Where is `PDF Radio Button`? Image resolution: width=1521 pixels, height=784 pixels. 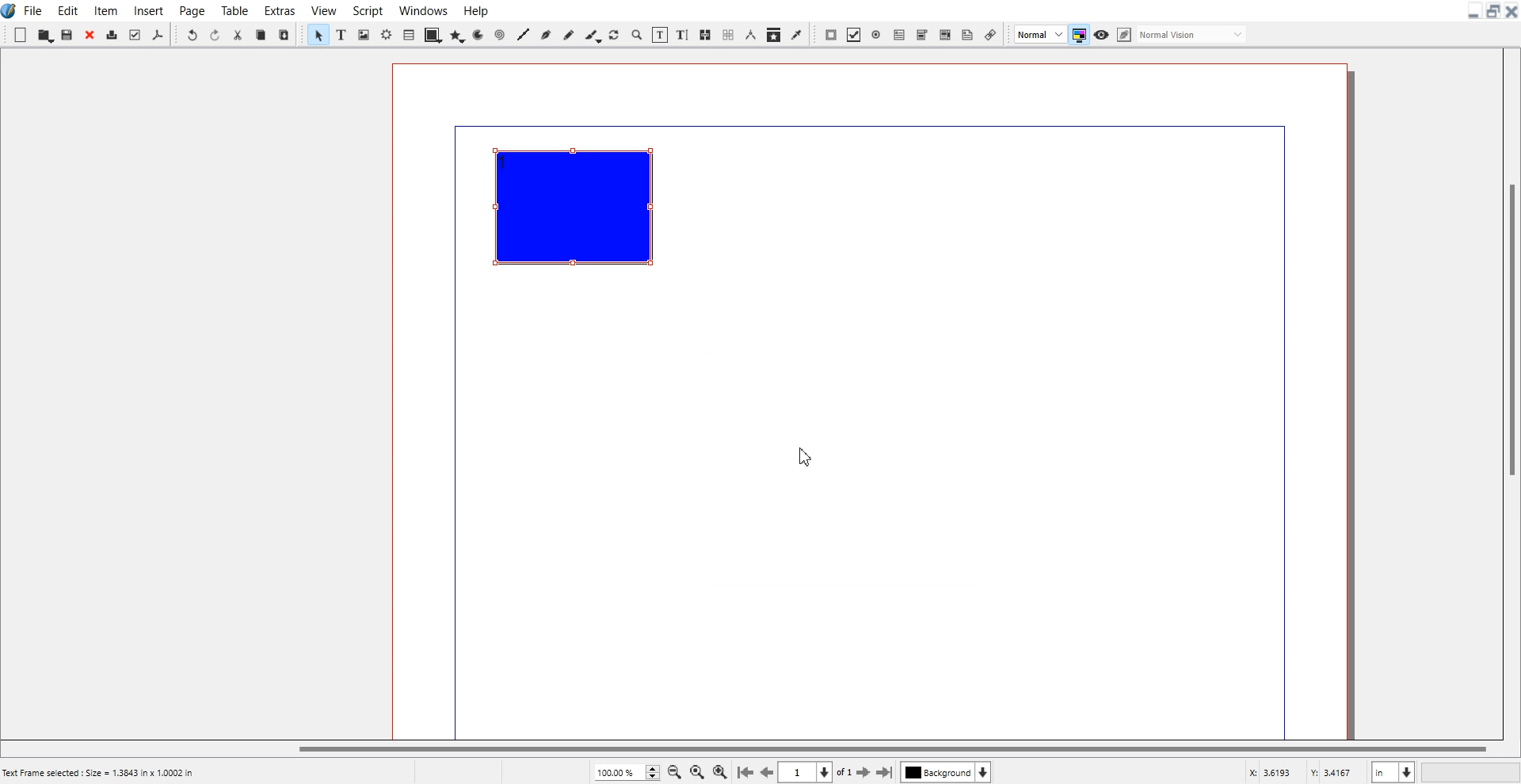 PDF Radio Button is located at coordinates (876, 35).